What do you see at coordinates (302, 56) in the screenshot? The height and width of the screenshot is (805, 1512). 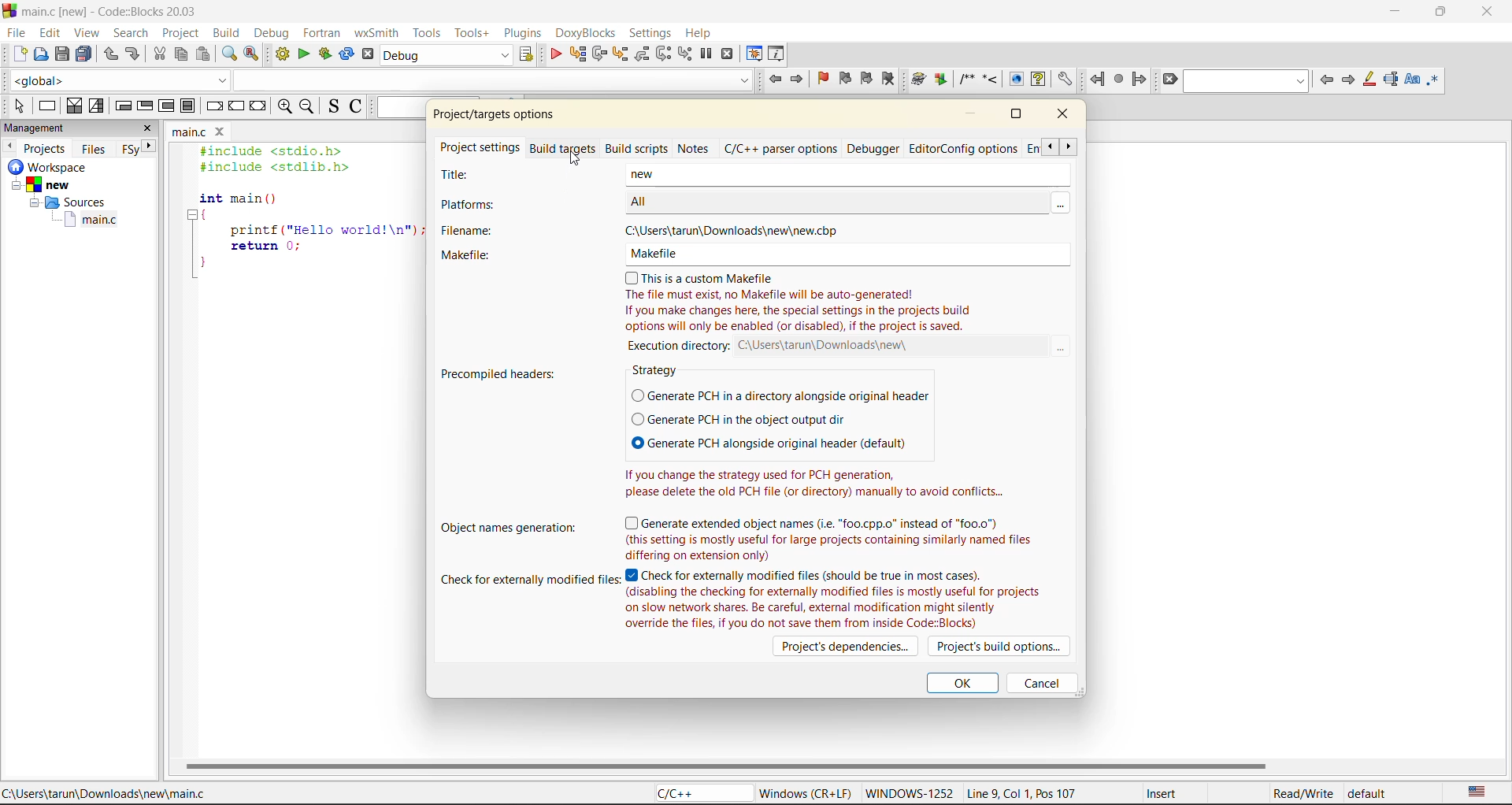 I see `run` at bounding box center [302, 56].